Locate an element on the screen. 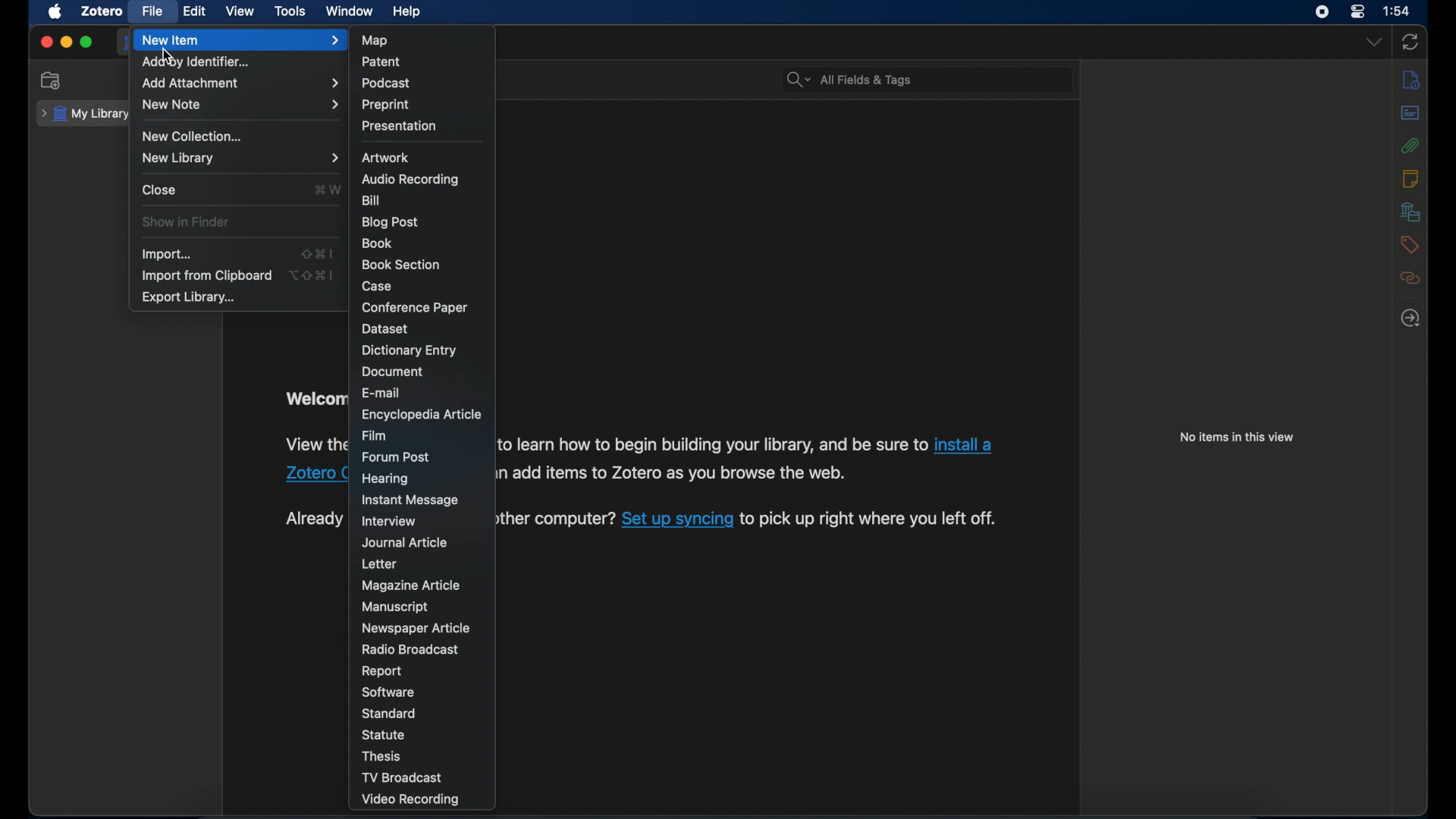 The height and width of the screenshot is (819, 1456). software is located at coordinates (388, 692).